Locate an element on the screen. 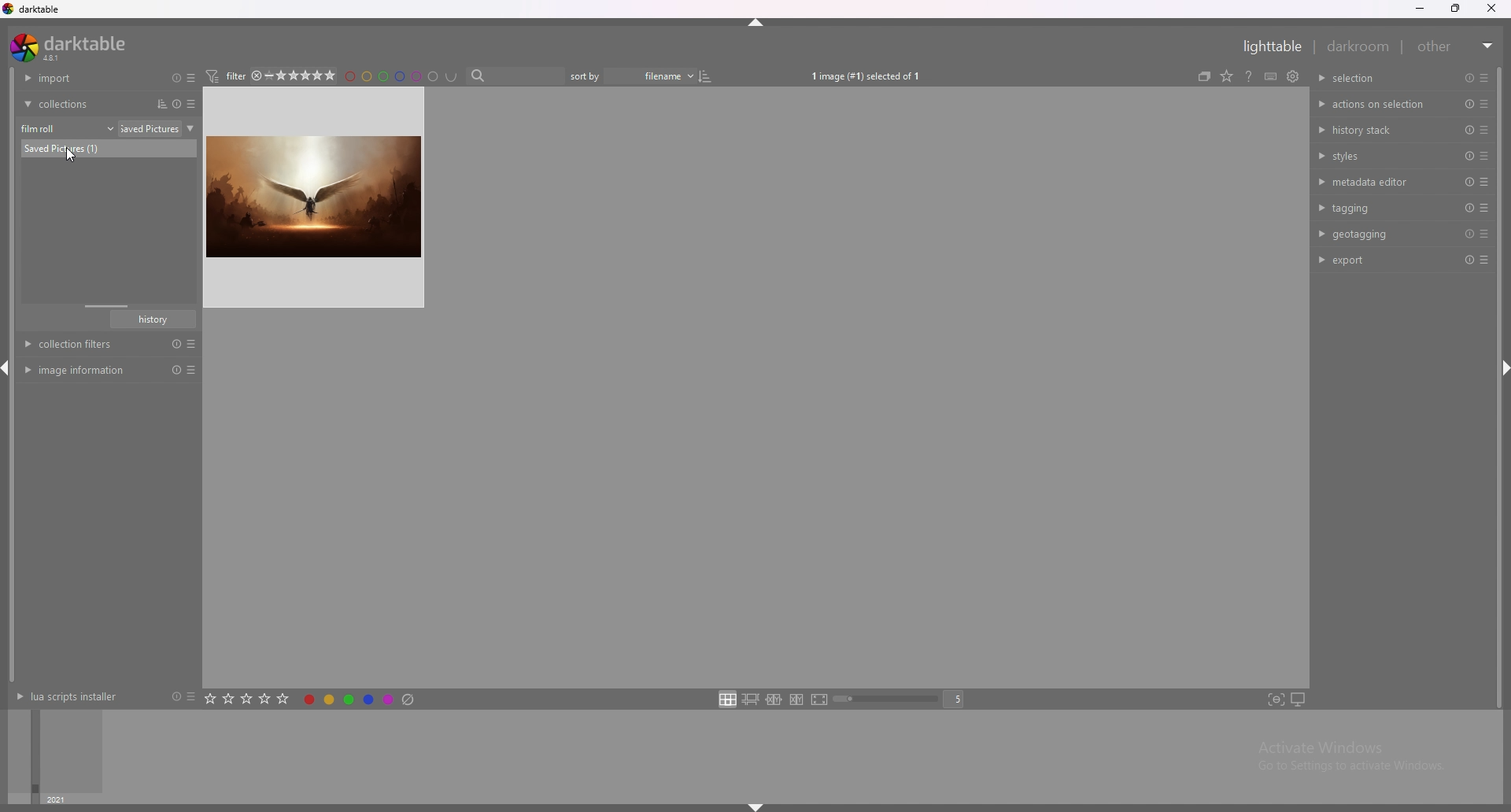 The height and width of the screenshot is (812, 1511). film roll is located at coordinates (68, 128).